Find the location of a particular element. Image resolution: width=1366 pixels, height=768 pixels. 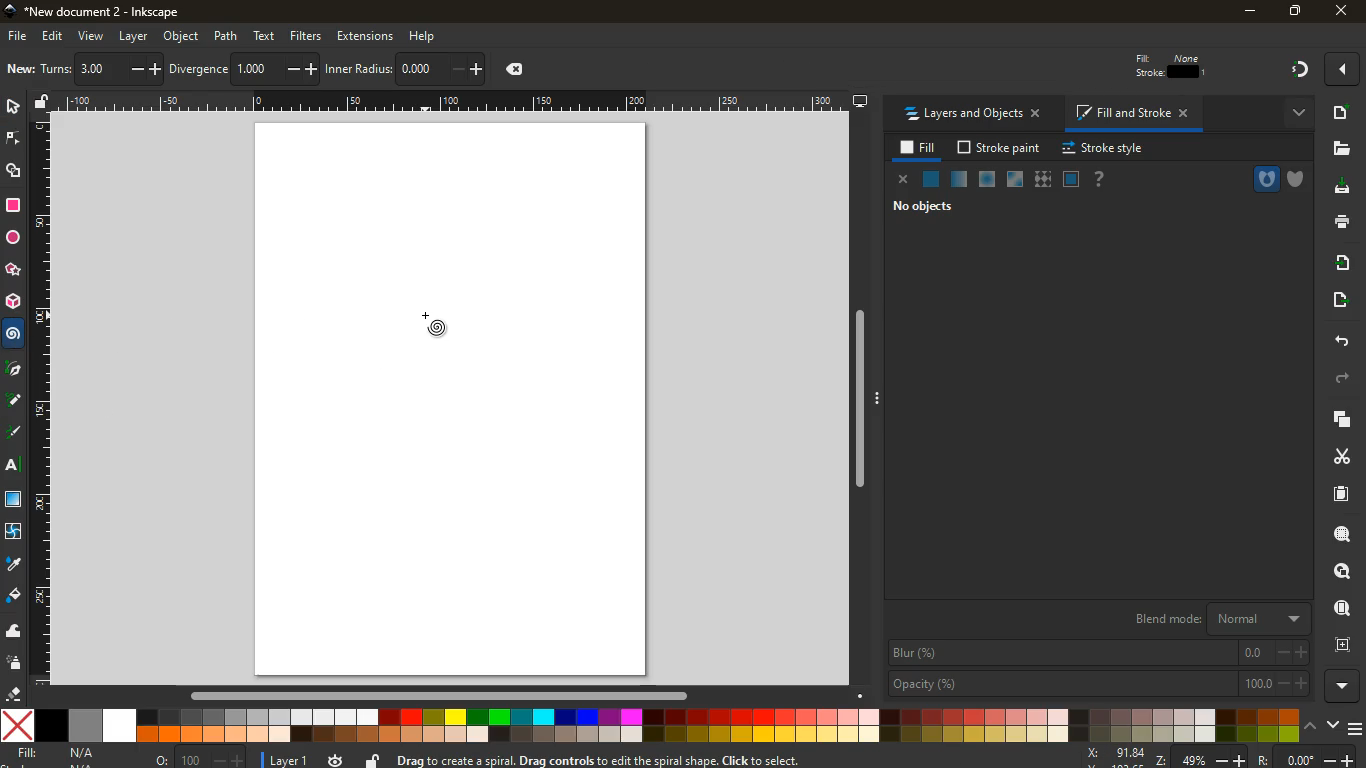

back is located at coordinates (1339, 341).